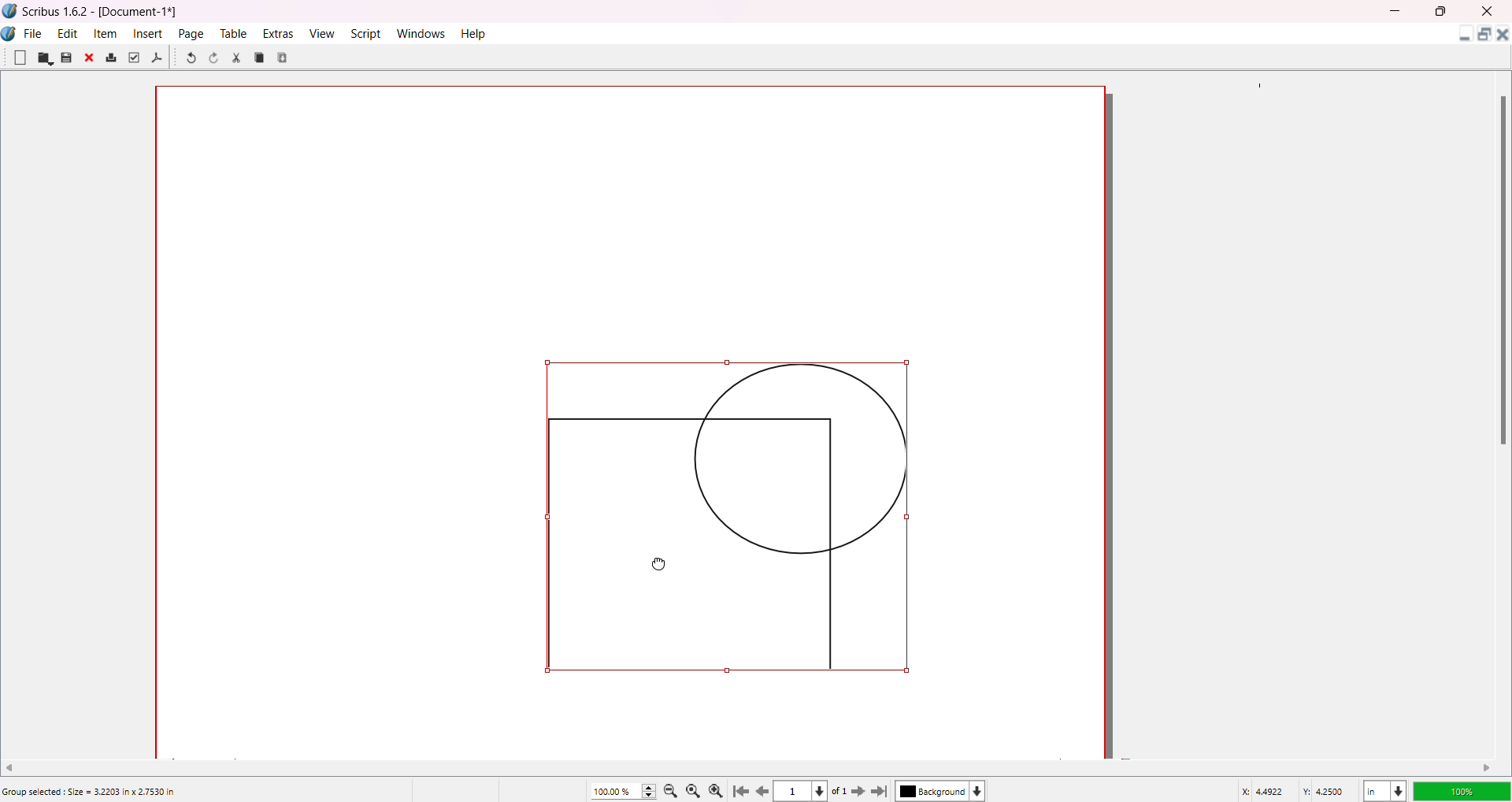 The width and height of the screenshot is (1512, 802). What do you see at coordinates (795, 792) in the screenshot?
I see `Current page` at bounding box center [795, 792].